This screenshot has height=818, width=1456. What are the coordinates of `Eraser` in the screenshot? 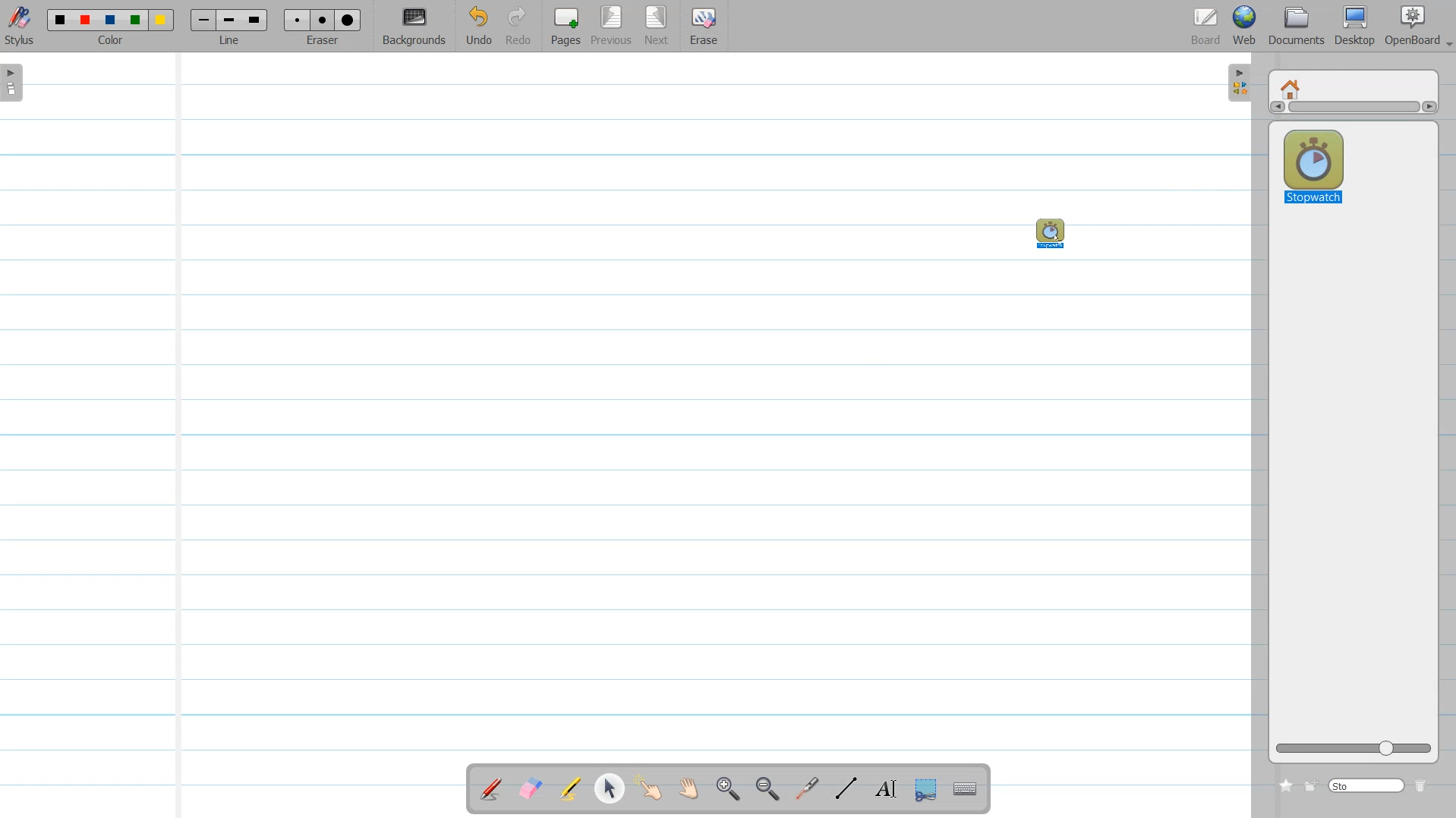 It's located at (323, 27).